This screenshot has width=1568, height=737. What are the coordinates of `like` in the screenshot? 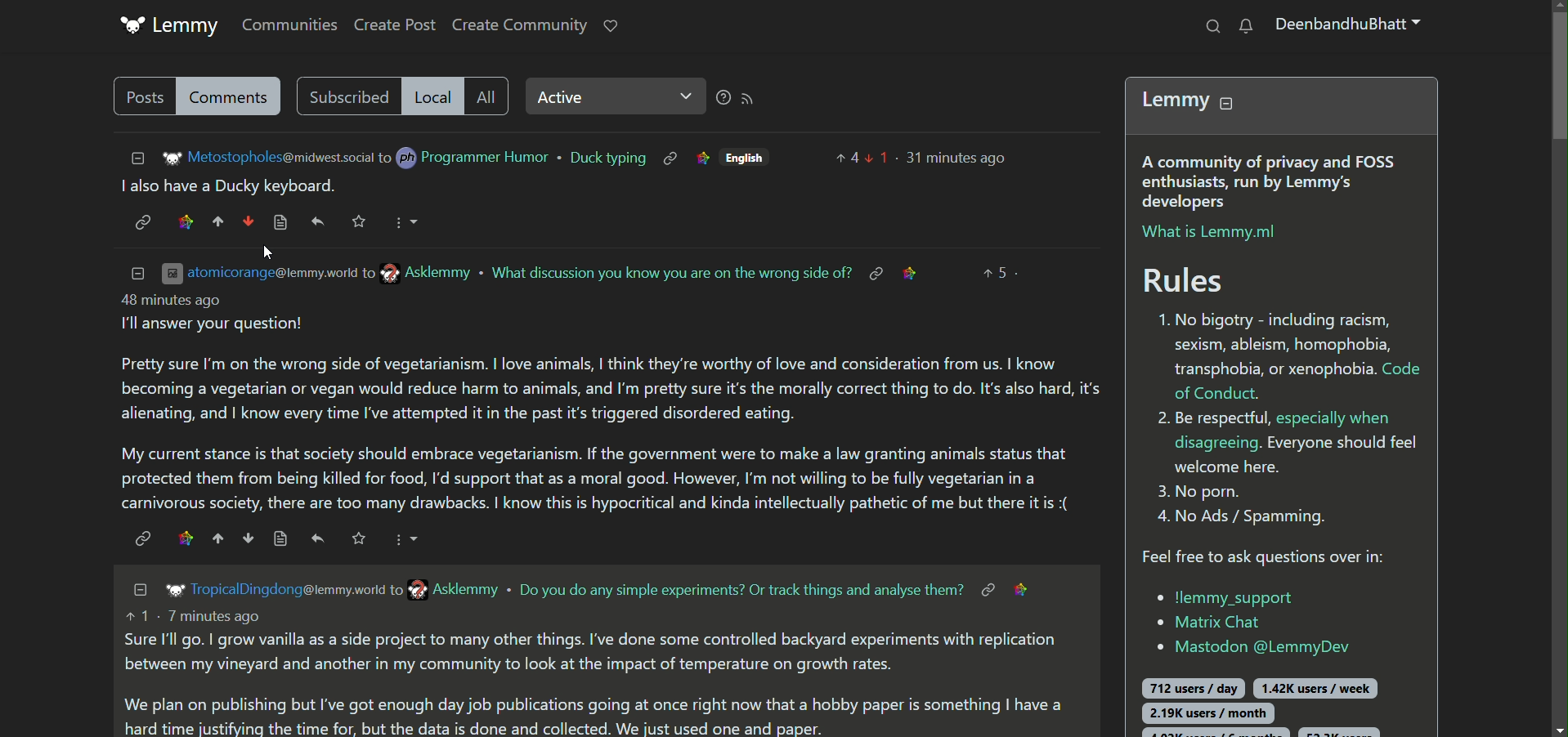 It's located at (611, 25).